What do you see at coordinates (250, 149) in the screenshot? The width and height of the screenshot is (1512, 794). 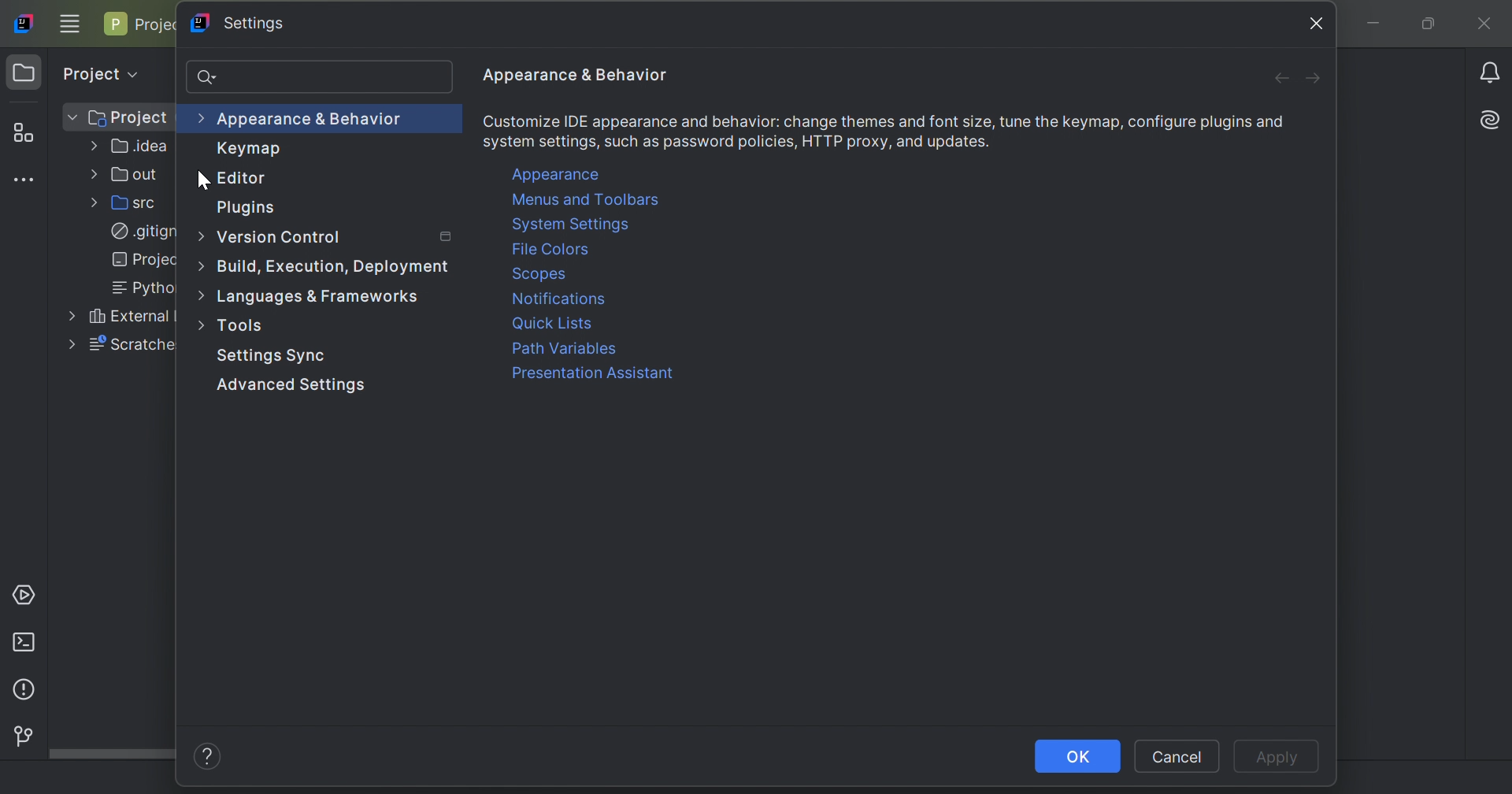 I see `Keymap` at bounding box center [250, 149].